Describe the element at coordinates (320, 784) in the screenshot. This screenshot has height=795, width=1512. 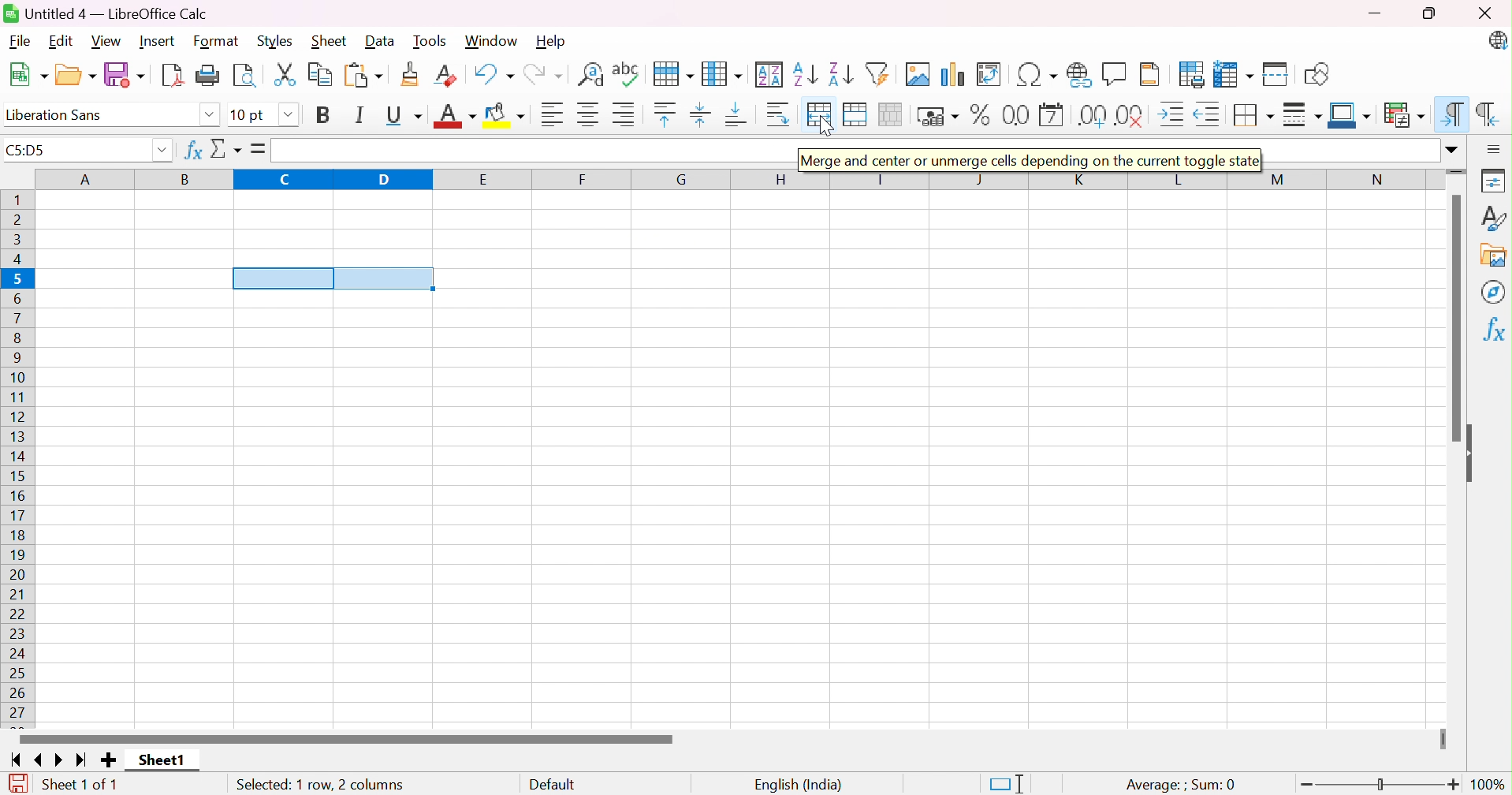
I see `Selected: 1 row, 2 columns` at that location.